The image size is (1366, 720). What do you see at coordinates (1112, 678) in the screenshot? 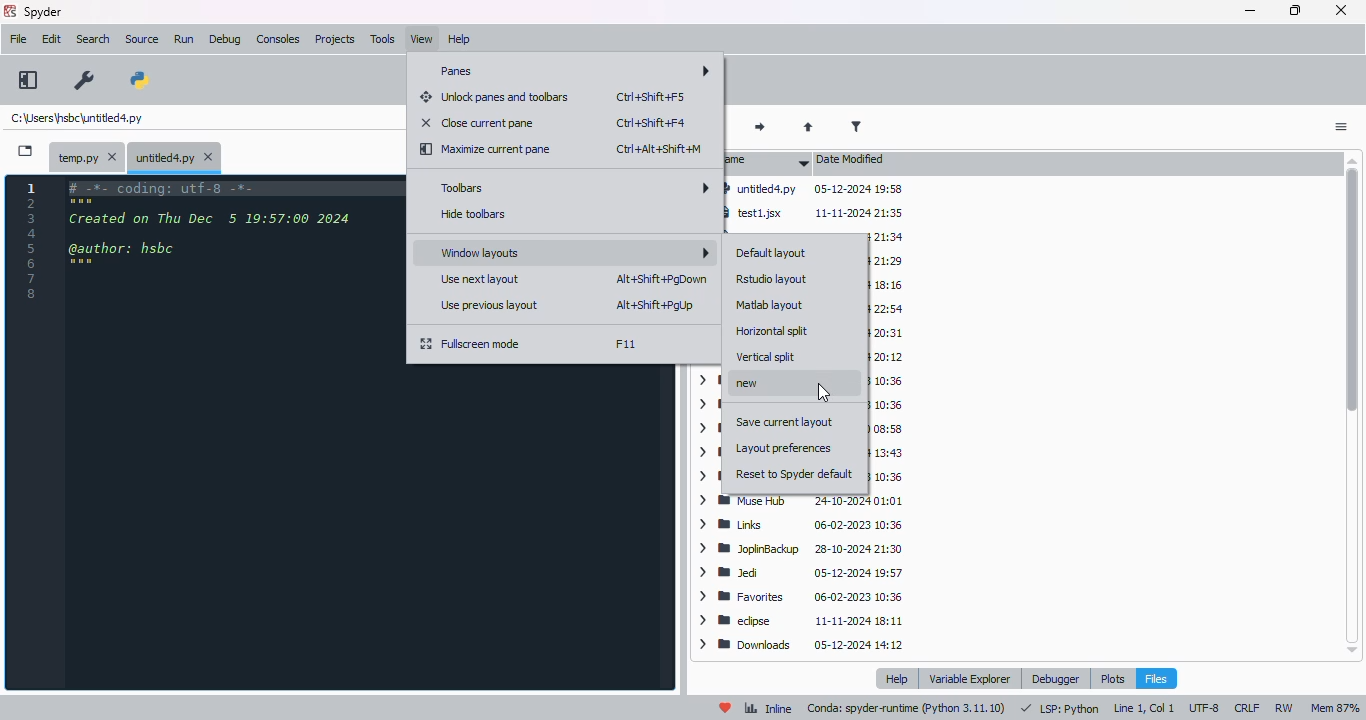
I see `plots` at bounding box center [1112, 678].